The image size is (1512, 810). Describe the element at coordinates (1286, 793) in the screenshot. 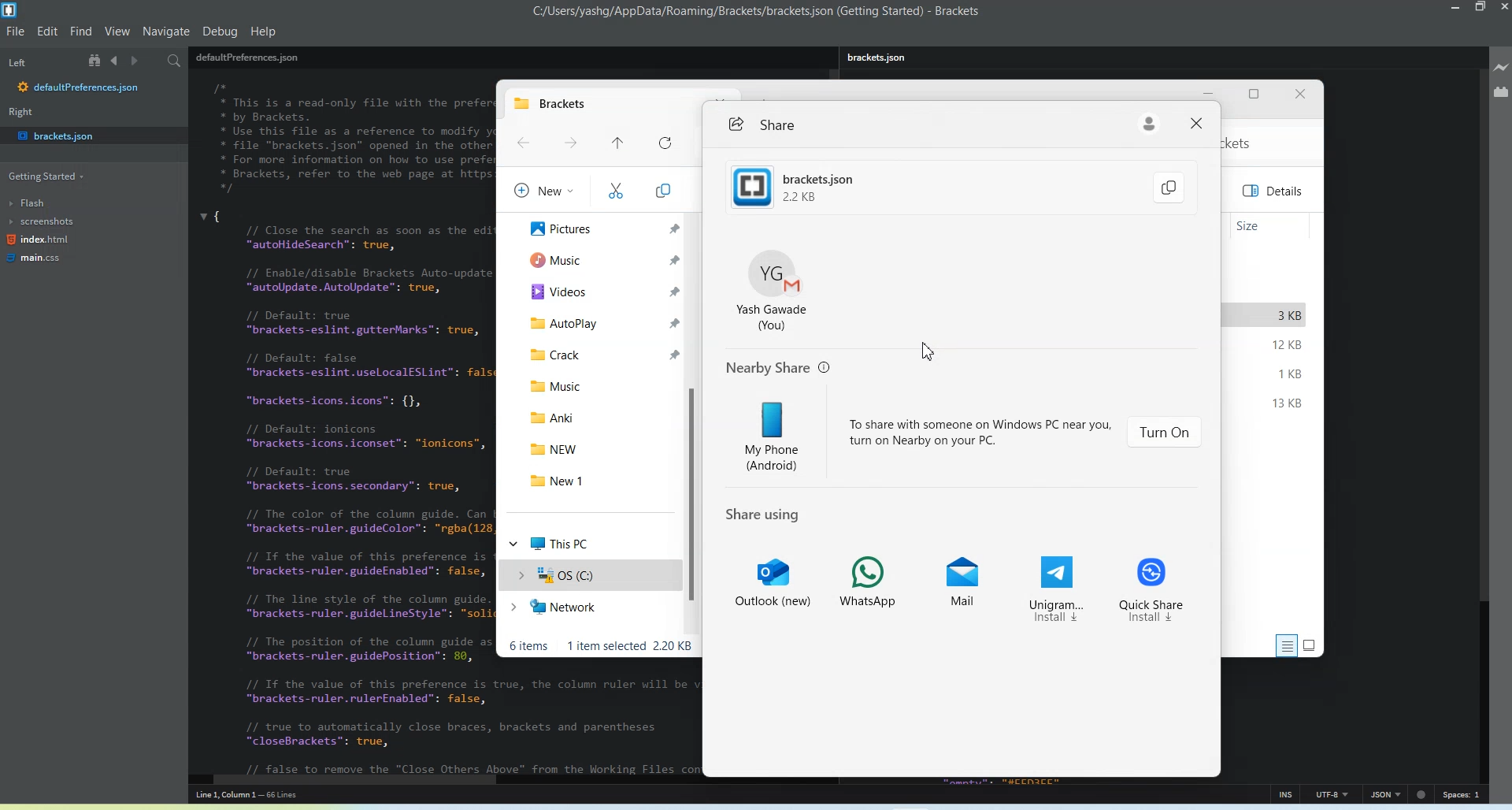

I see `INS` at that location.